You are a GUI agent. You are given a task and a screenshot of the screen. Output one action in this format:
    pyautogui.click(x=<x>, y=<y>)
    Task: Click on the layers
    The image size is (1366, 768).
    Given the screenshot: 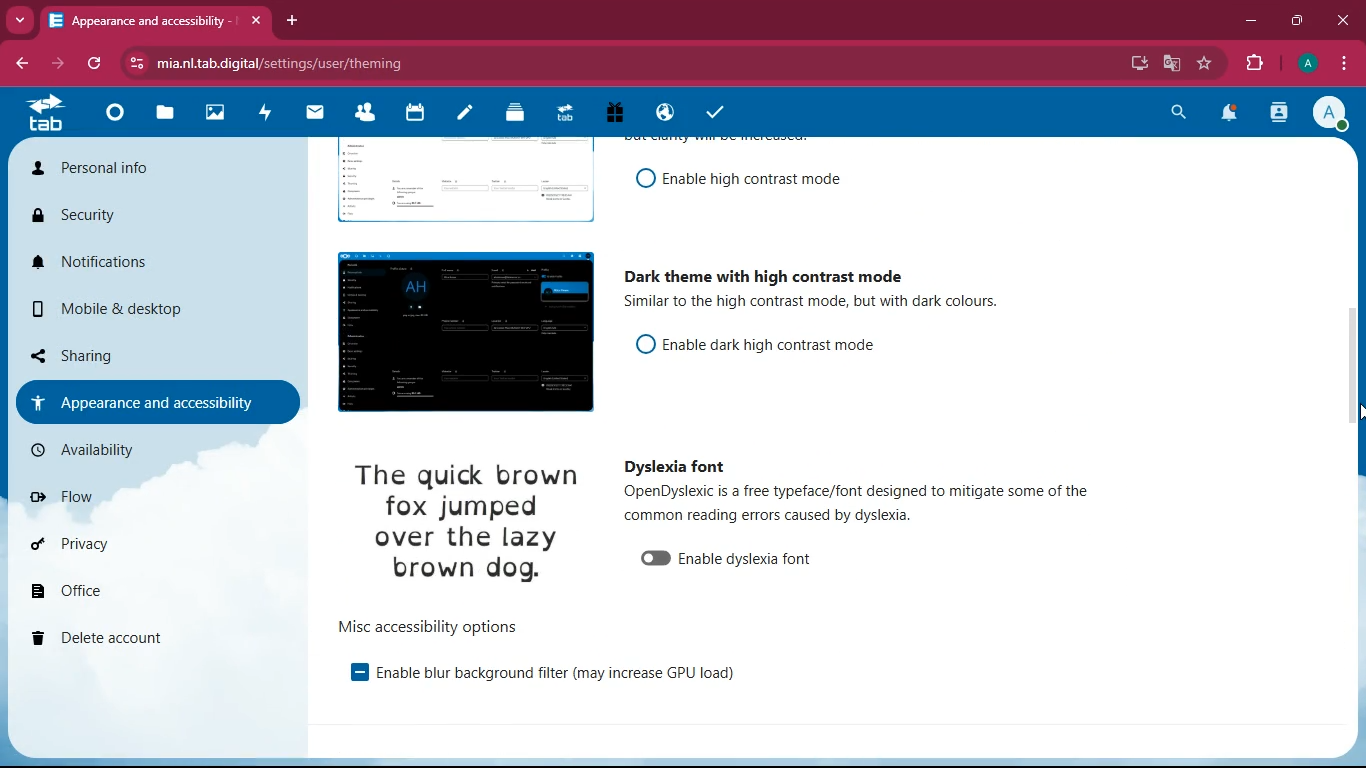 What is the action you would take?
    pyautogui.click(x=522, y=116)
    